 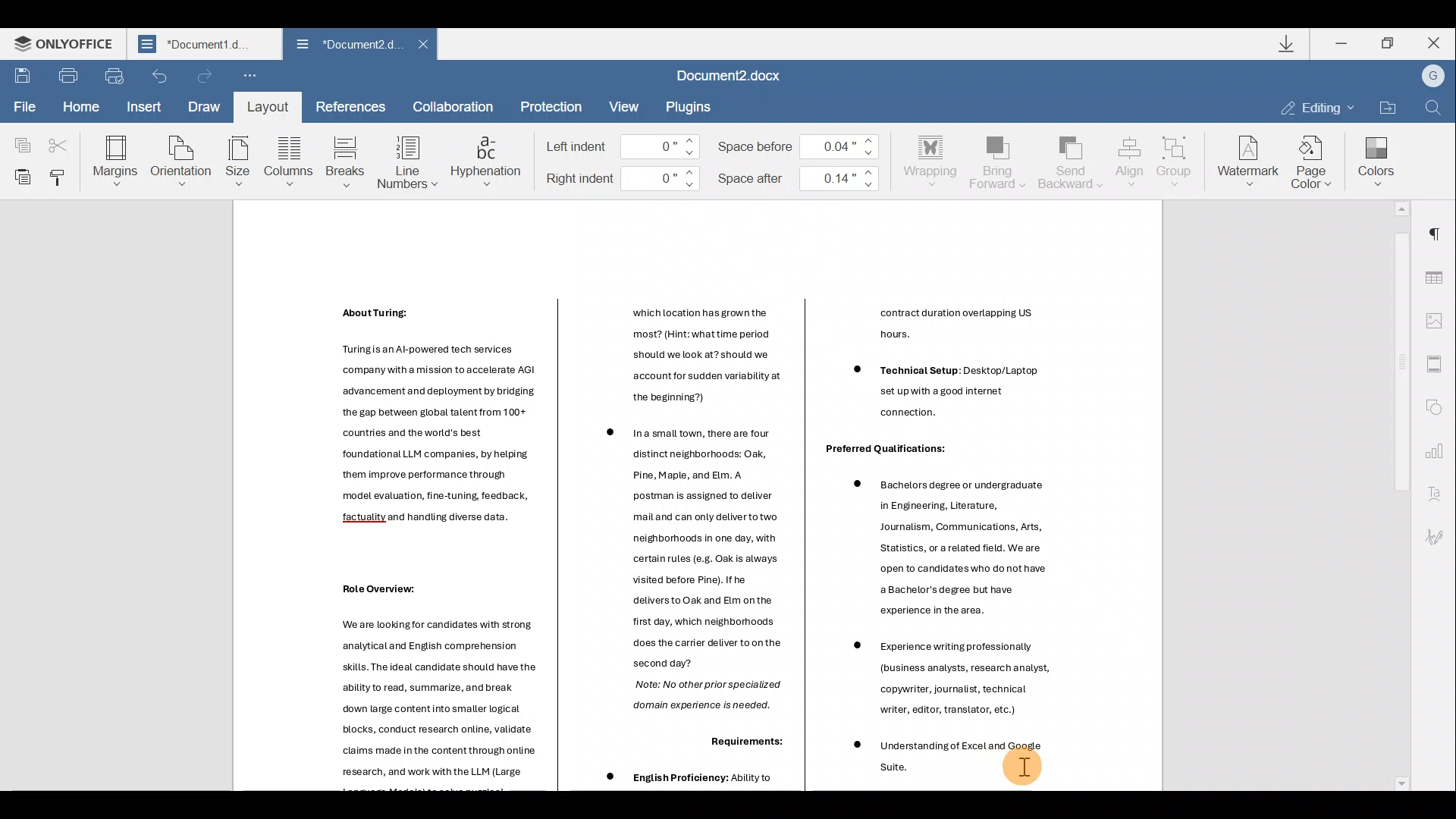 I want to click on Header & footer settings, so click(x=1438, y=368).